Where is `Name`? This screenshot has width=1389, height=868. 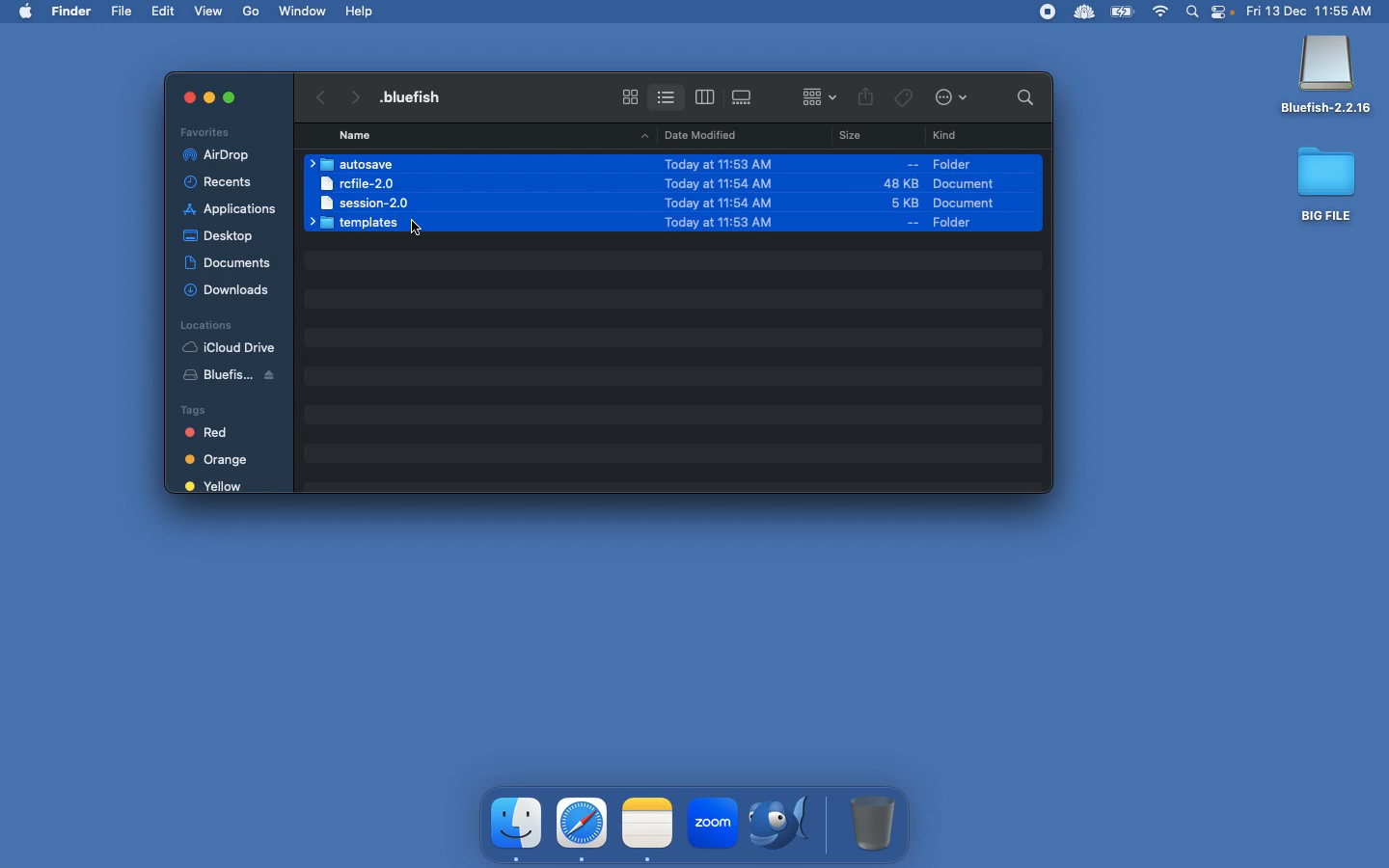
Name is located at coordinates (419, 96).